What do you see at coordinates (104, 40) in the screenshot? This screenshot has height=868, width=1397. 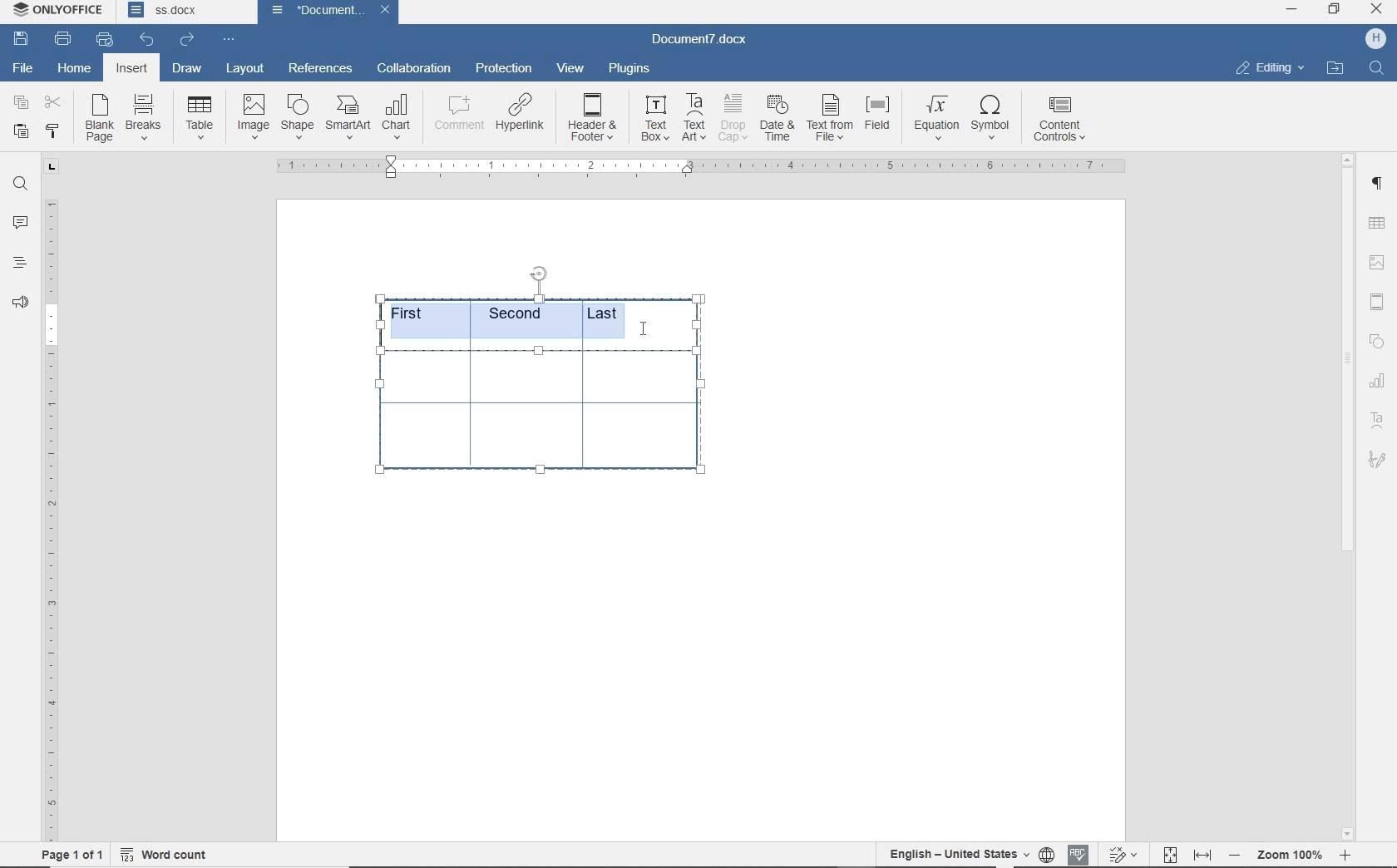 I see `quick print` at bounding box center [104, 40].